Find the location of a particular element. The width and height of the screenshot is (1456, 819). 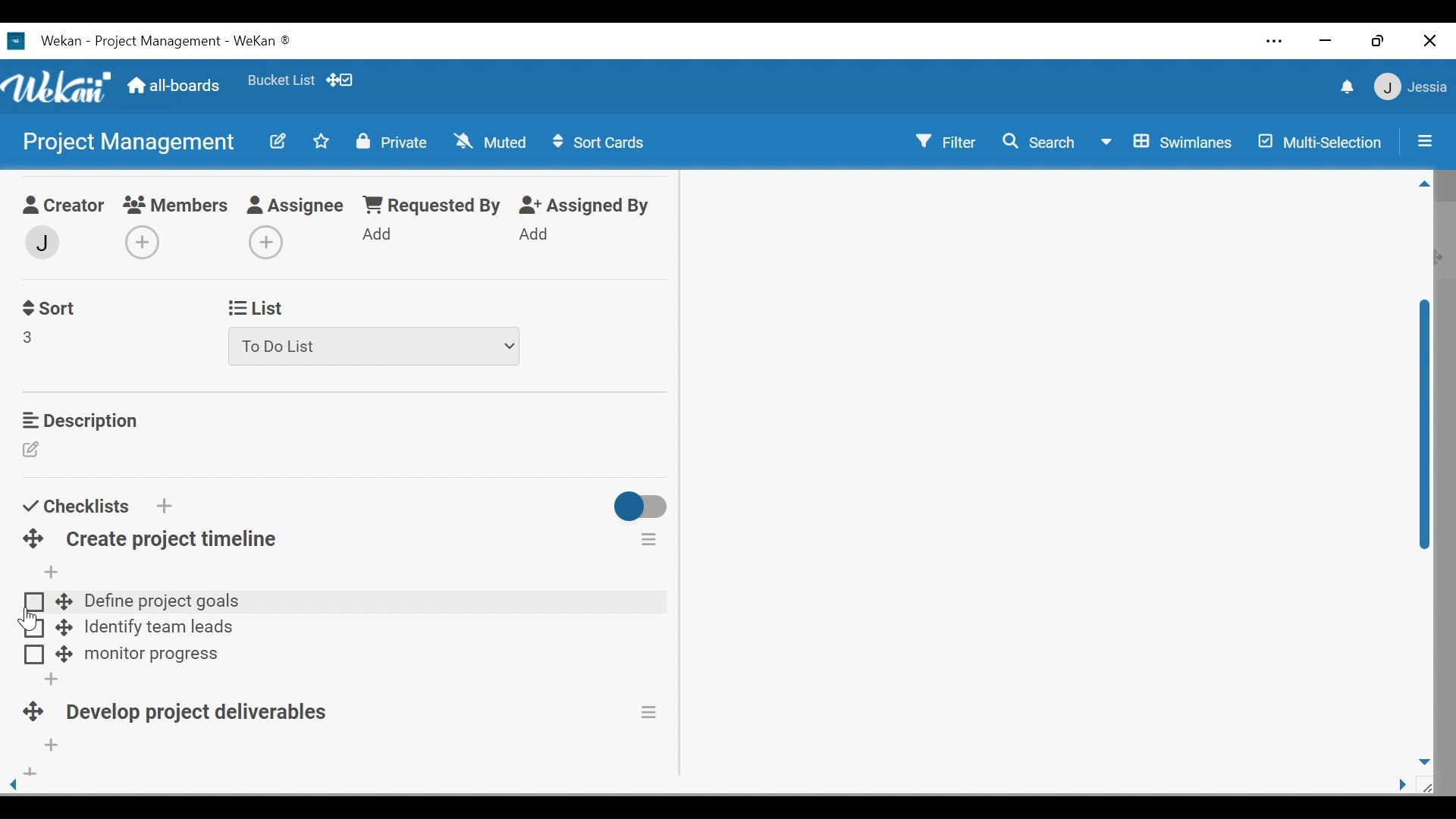

Desktop drag handles is located at coordinates (33, 539).